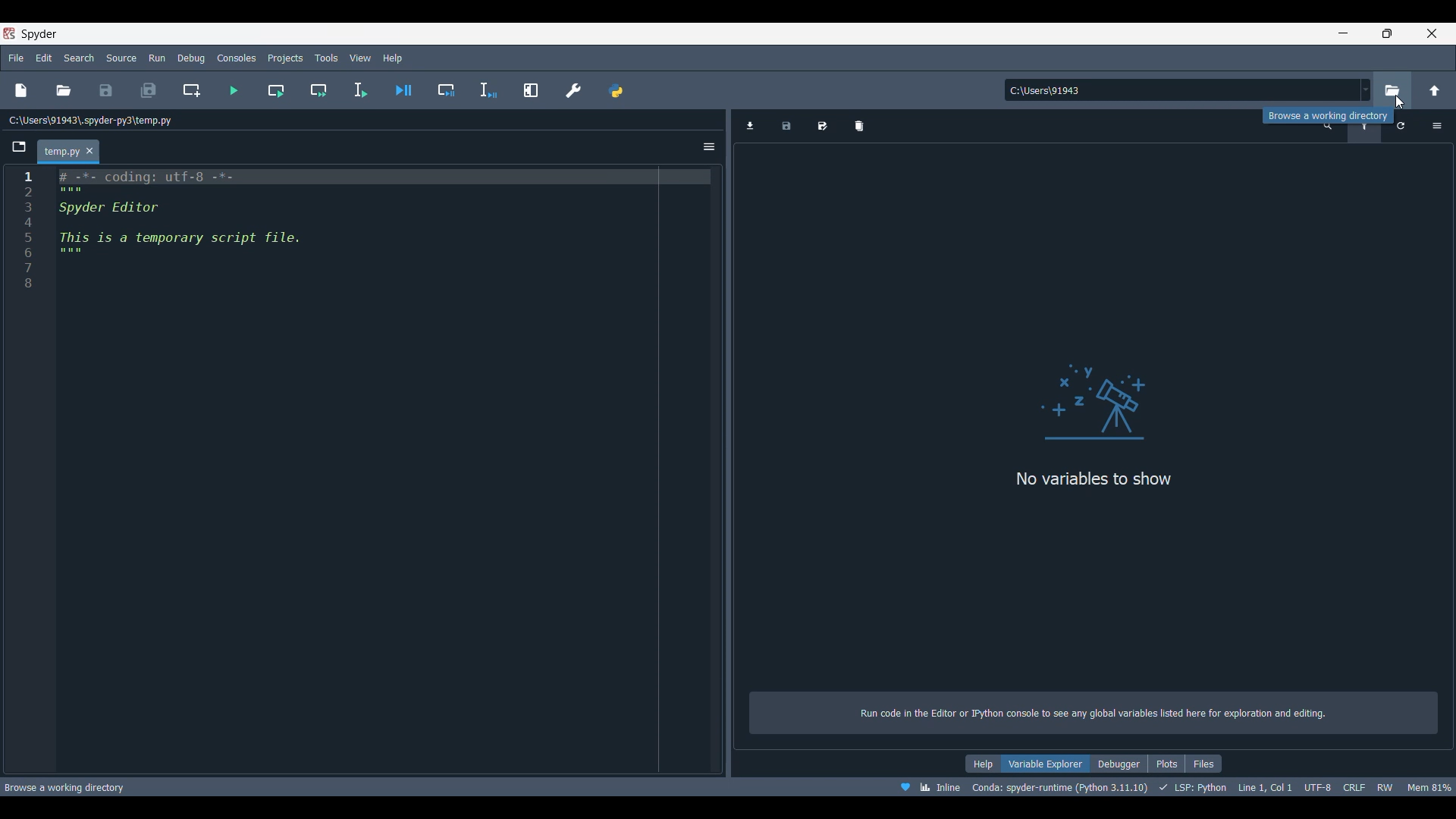 The image size is (1456, 819). I want to click on Variable explorer, so click(1046, 764).